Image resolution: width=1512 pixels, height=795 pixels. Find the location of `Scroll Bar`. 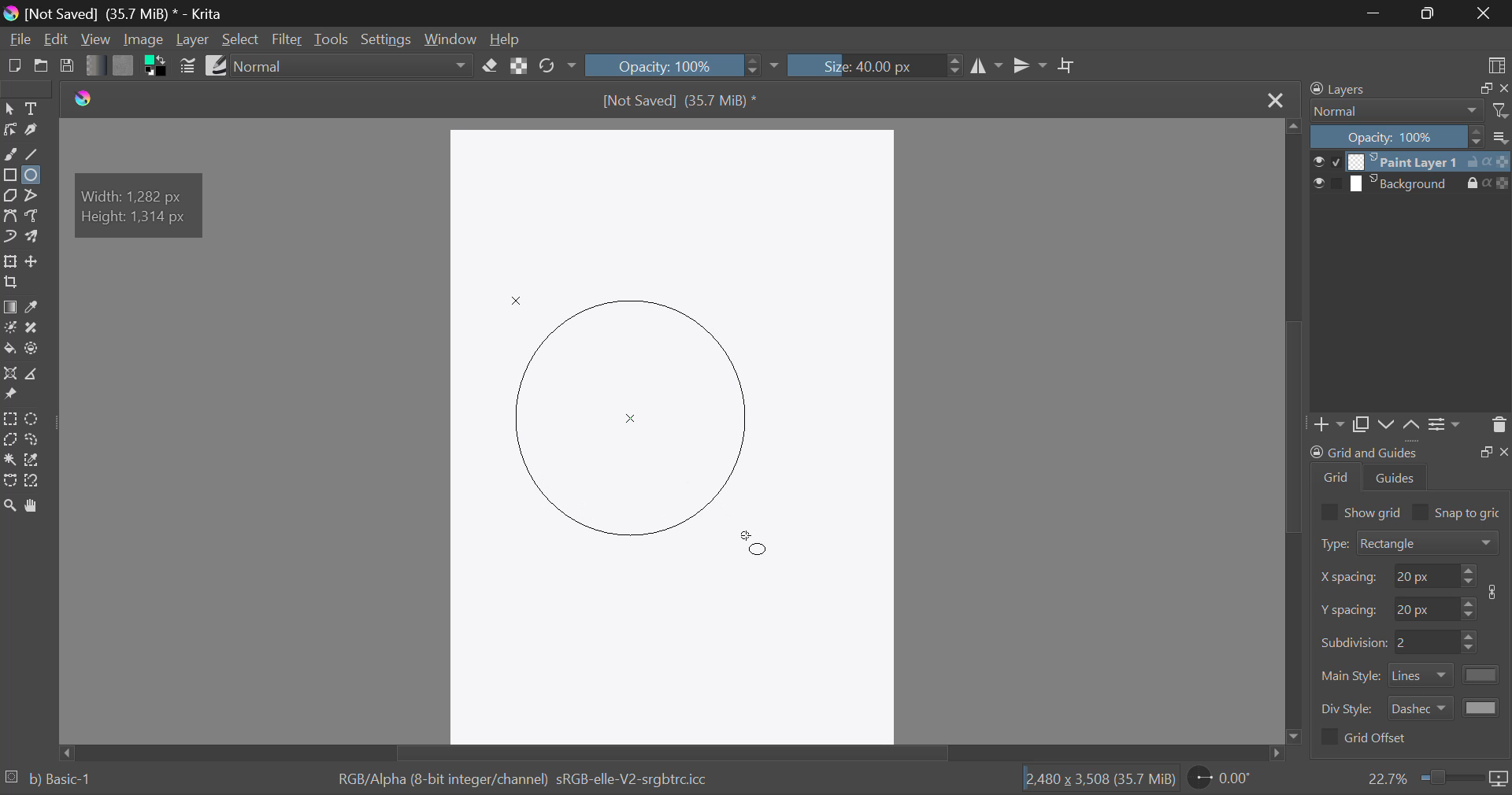

Scroll Bar is located at coordinates (673, 752).